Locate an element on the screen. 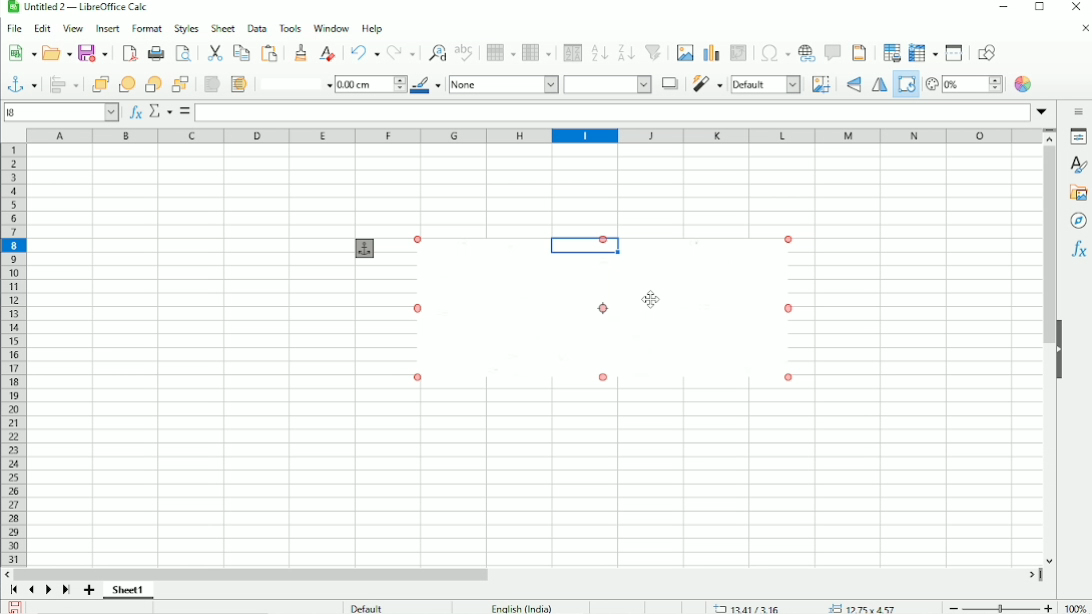  Edit is located at coordinates (42, 29).